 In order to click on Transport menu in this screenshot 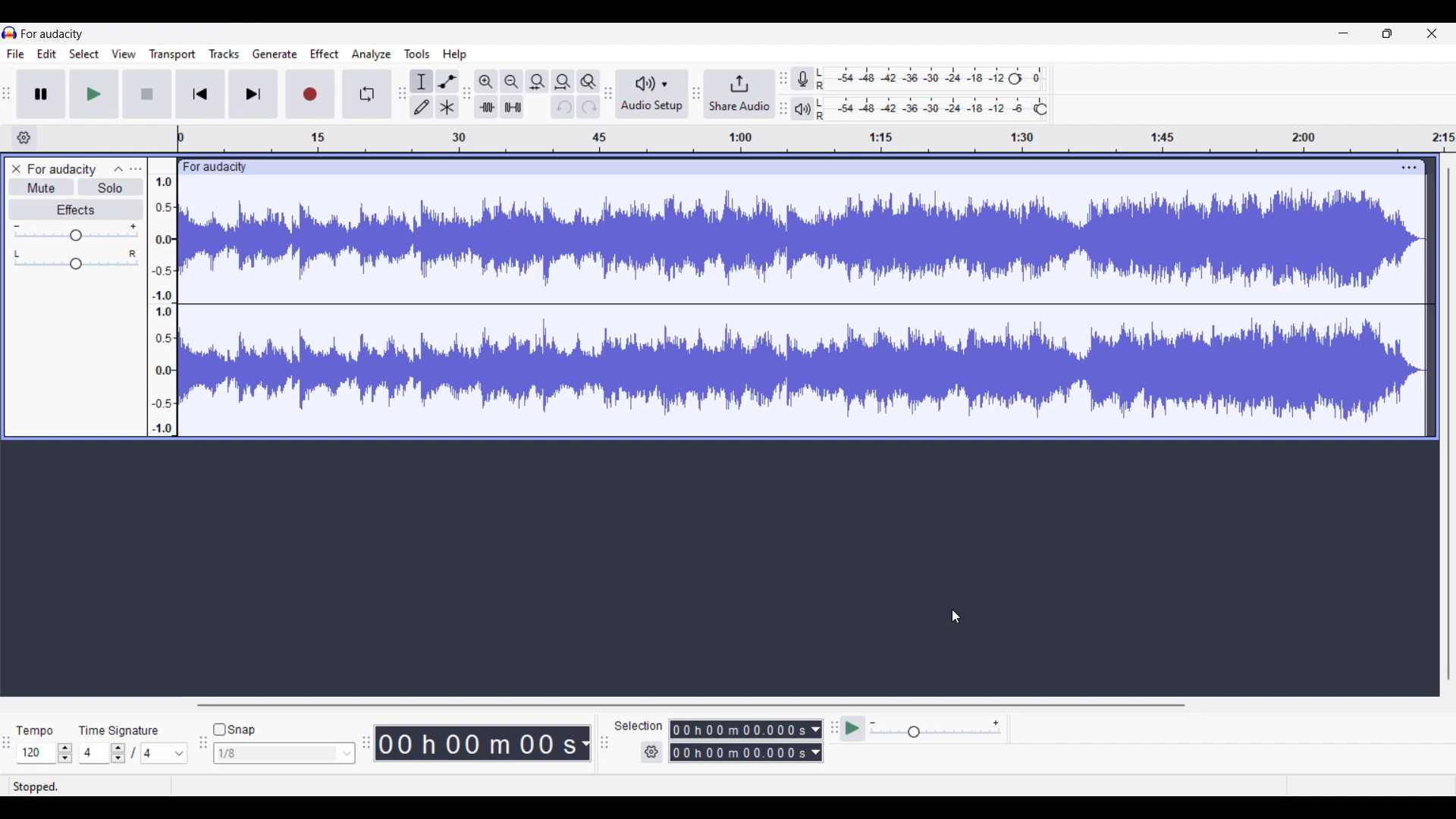, I will do `click(173, 55)`.